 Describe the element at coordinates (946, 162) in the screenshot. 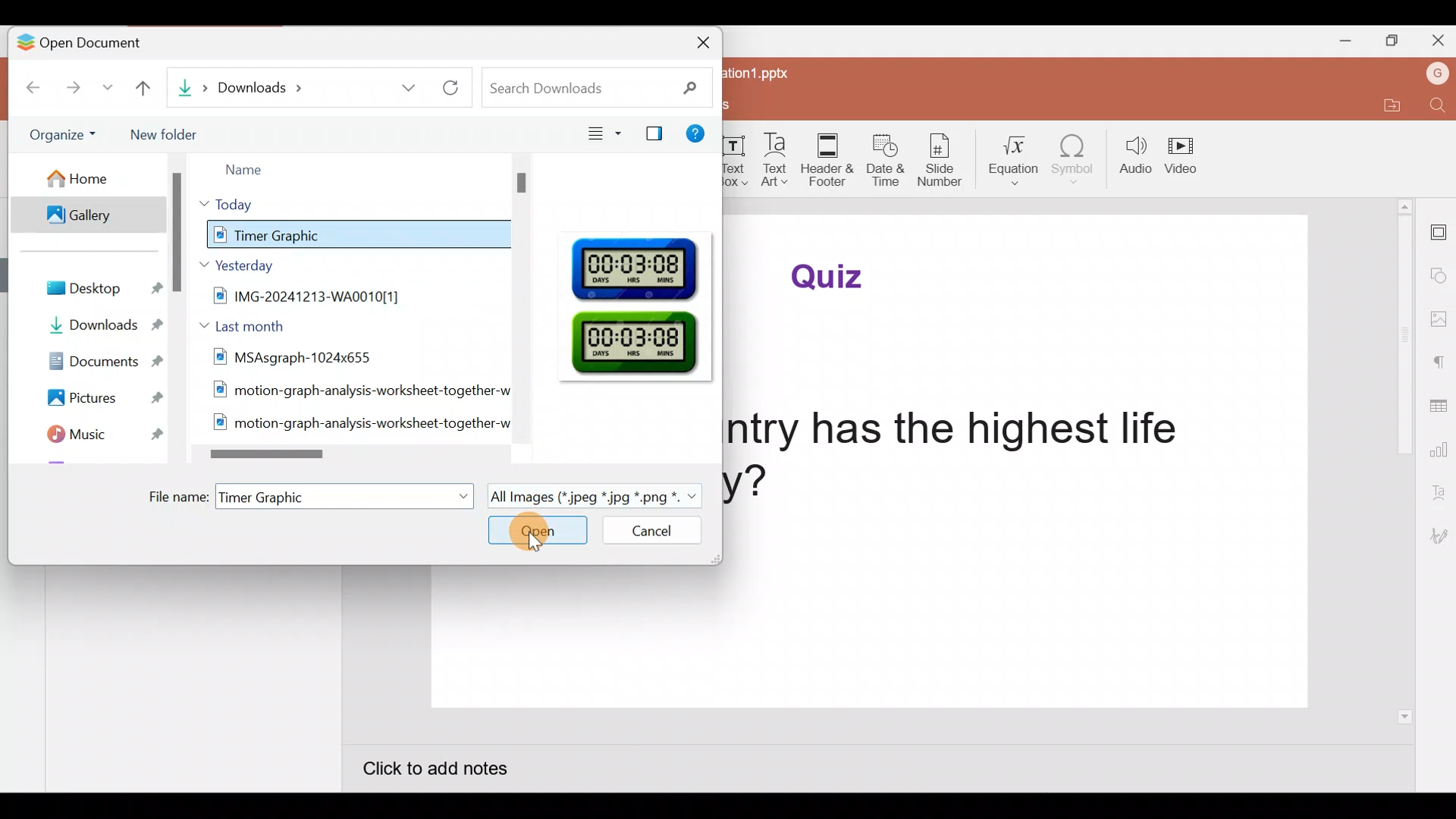

I see `Slide number` at that location.